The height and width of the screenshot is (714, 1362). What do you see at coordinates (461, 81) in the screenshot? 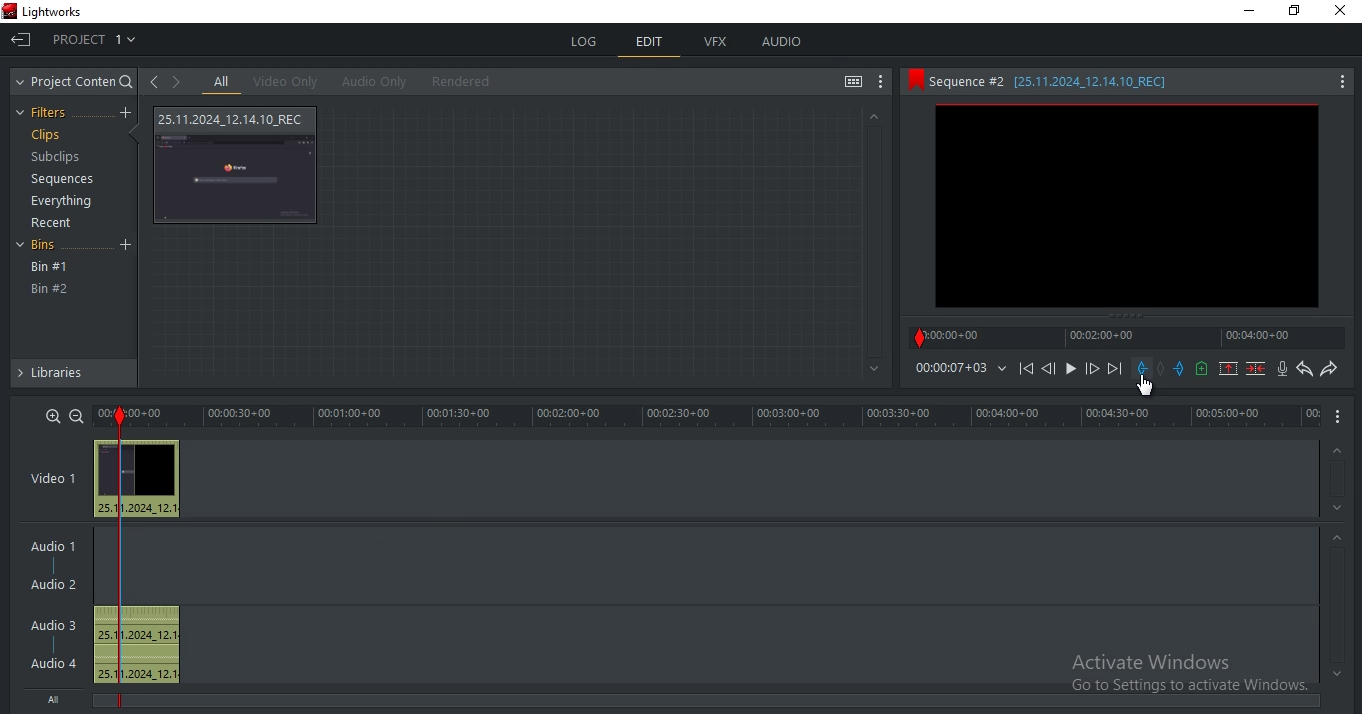
I see `rendered` at bounding box center [461, 81].